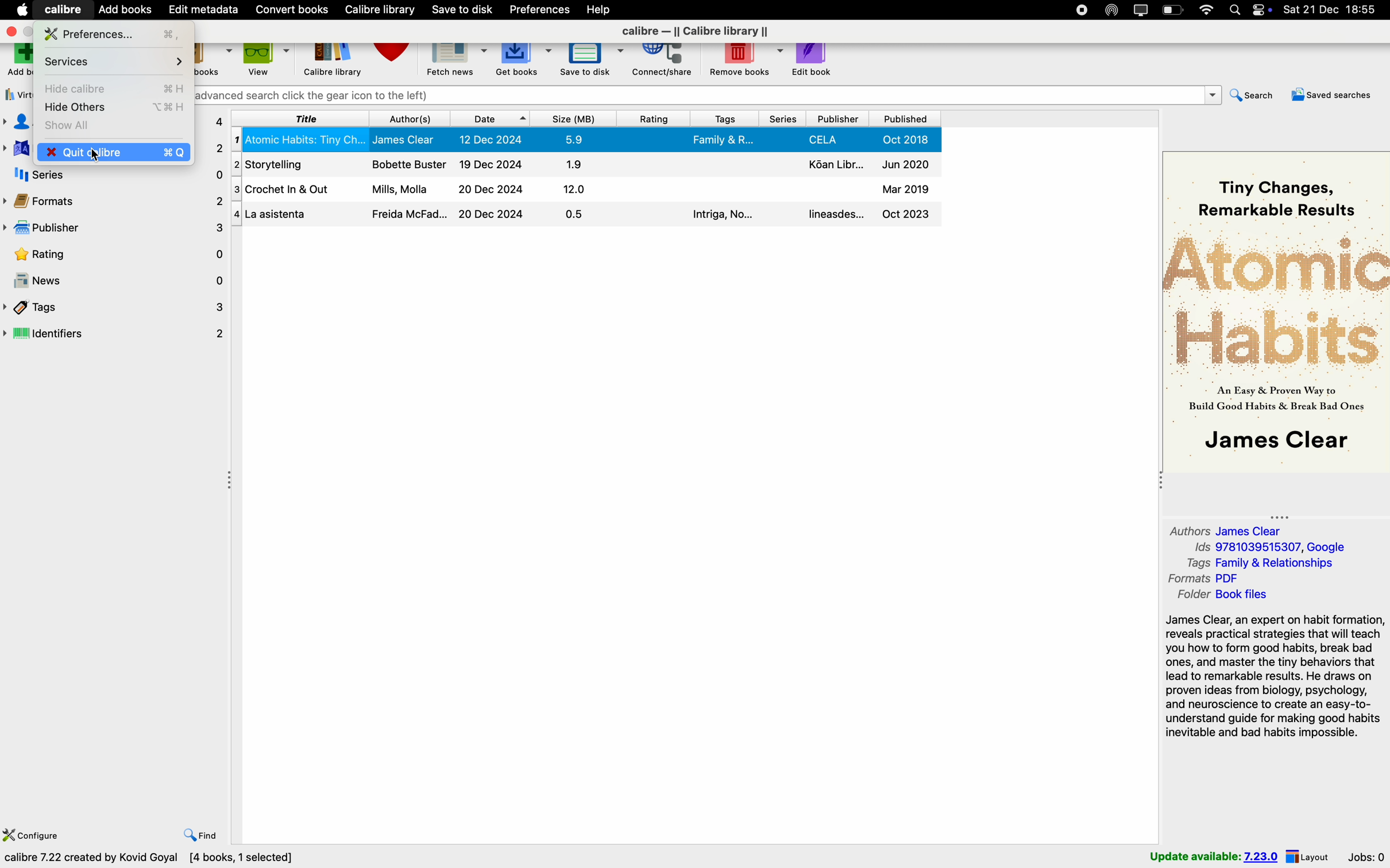  Describe the element at coordinates (1266, 564) in the screenshot. I see `tags Family & Relationships` at that location.